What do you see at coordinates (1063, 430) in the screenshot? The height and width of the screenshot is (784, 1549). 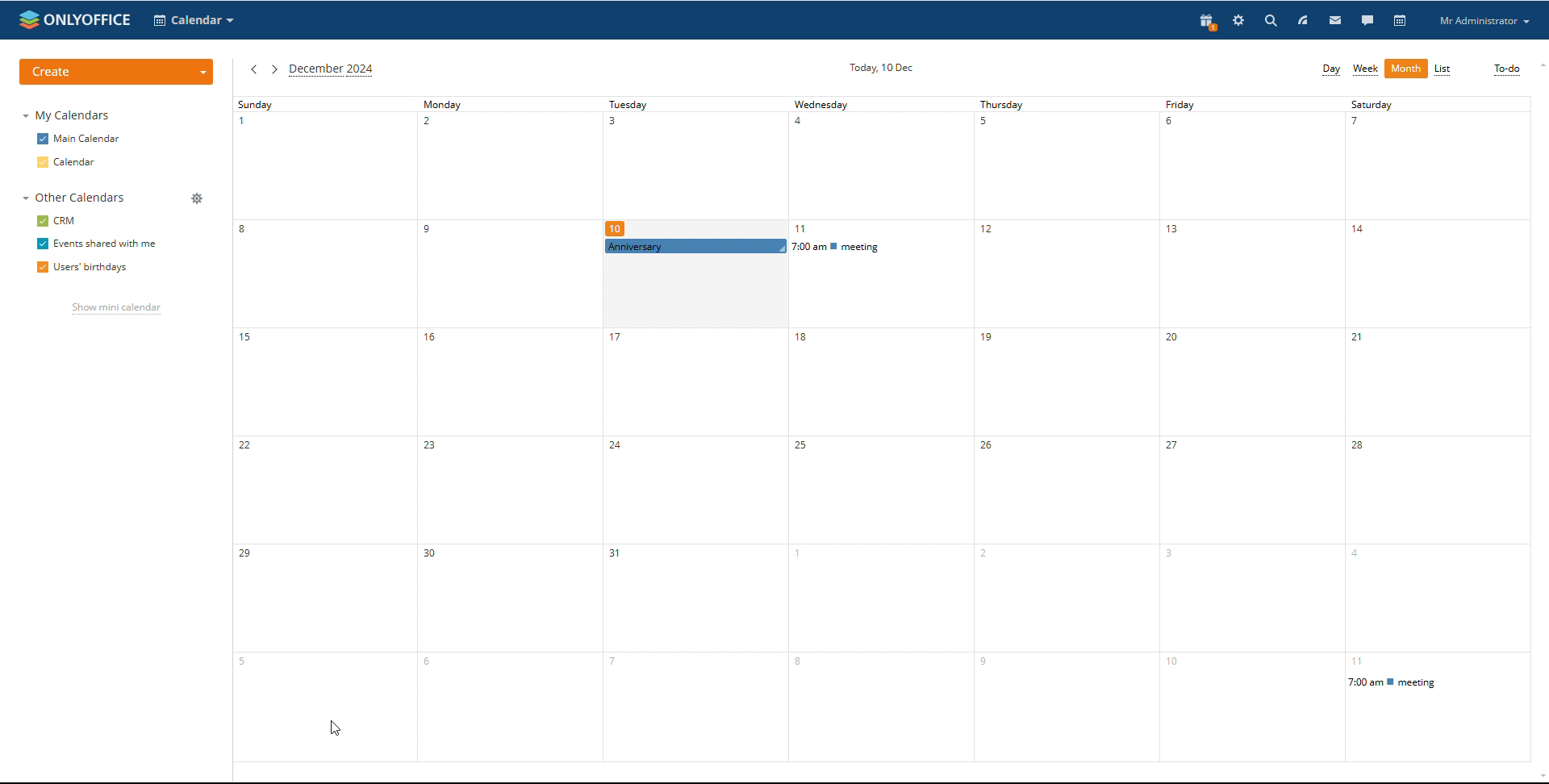 I see `thursday` at bounding box center [1063, 430].